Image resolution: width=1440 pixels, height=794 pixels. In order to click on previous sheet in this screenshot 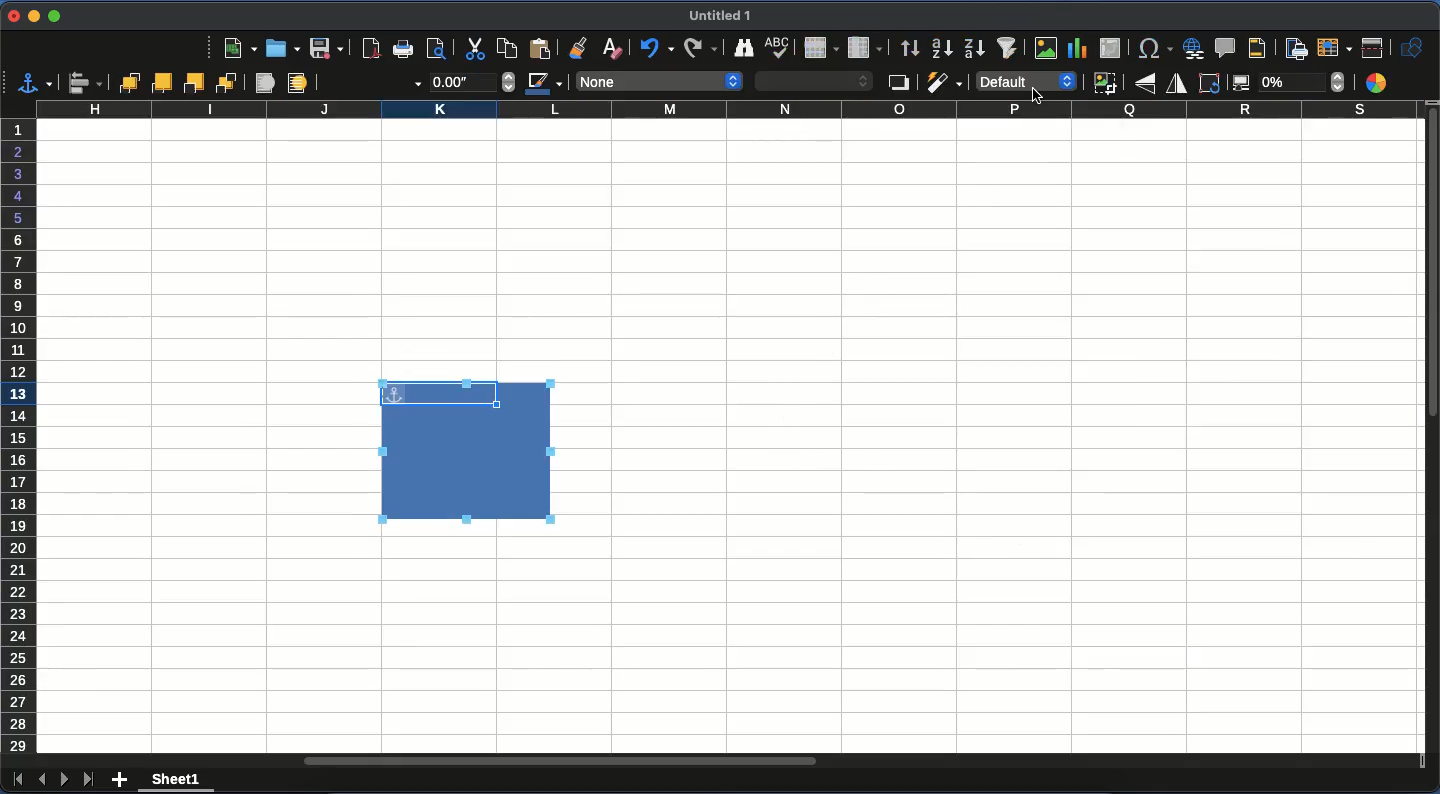, I will do `click(41, 779)`.